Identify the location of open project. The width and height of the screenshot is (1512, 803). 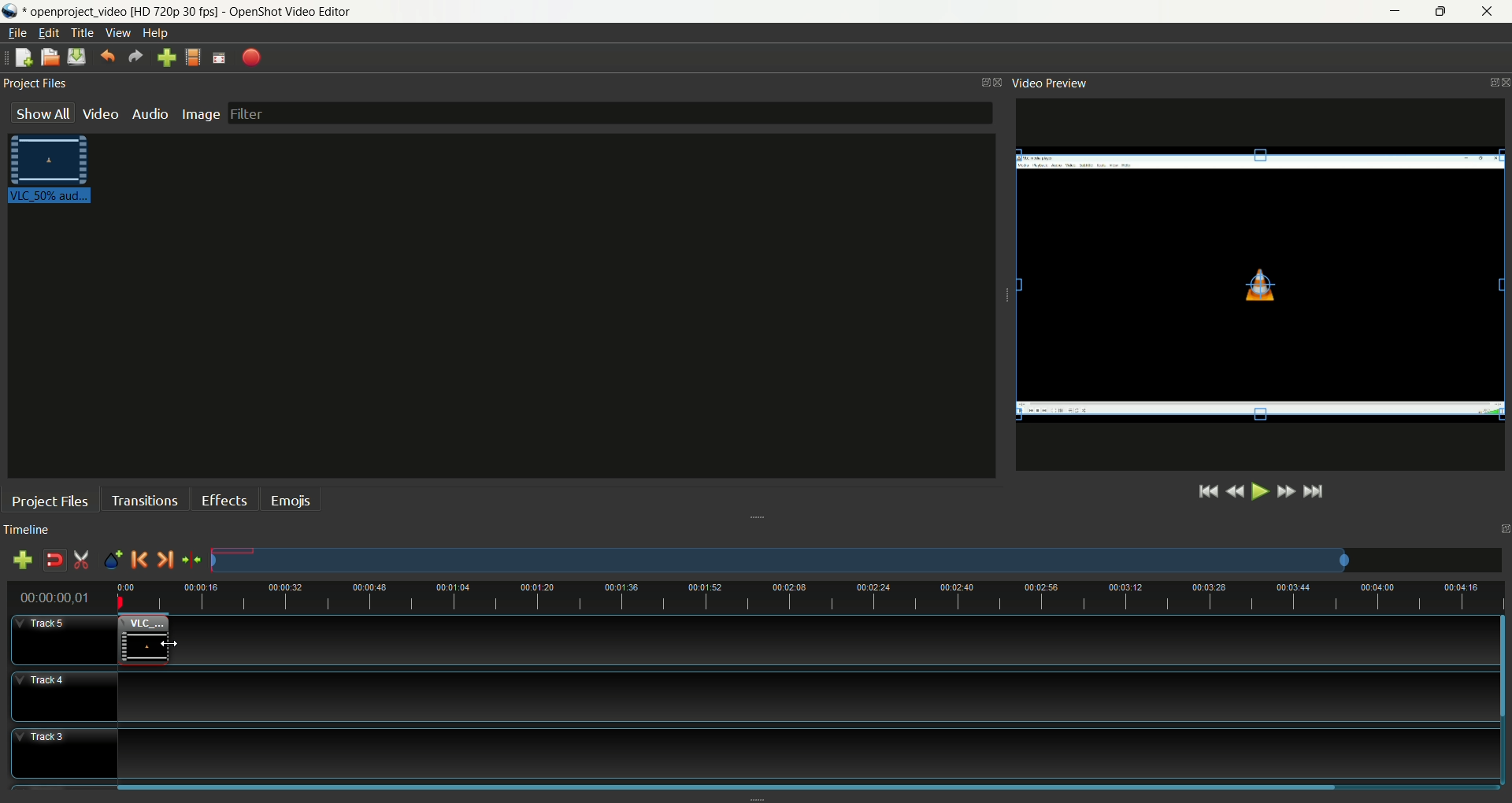
(49, 57).